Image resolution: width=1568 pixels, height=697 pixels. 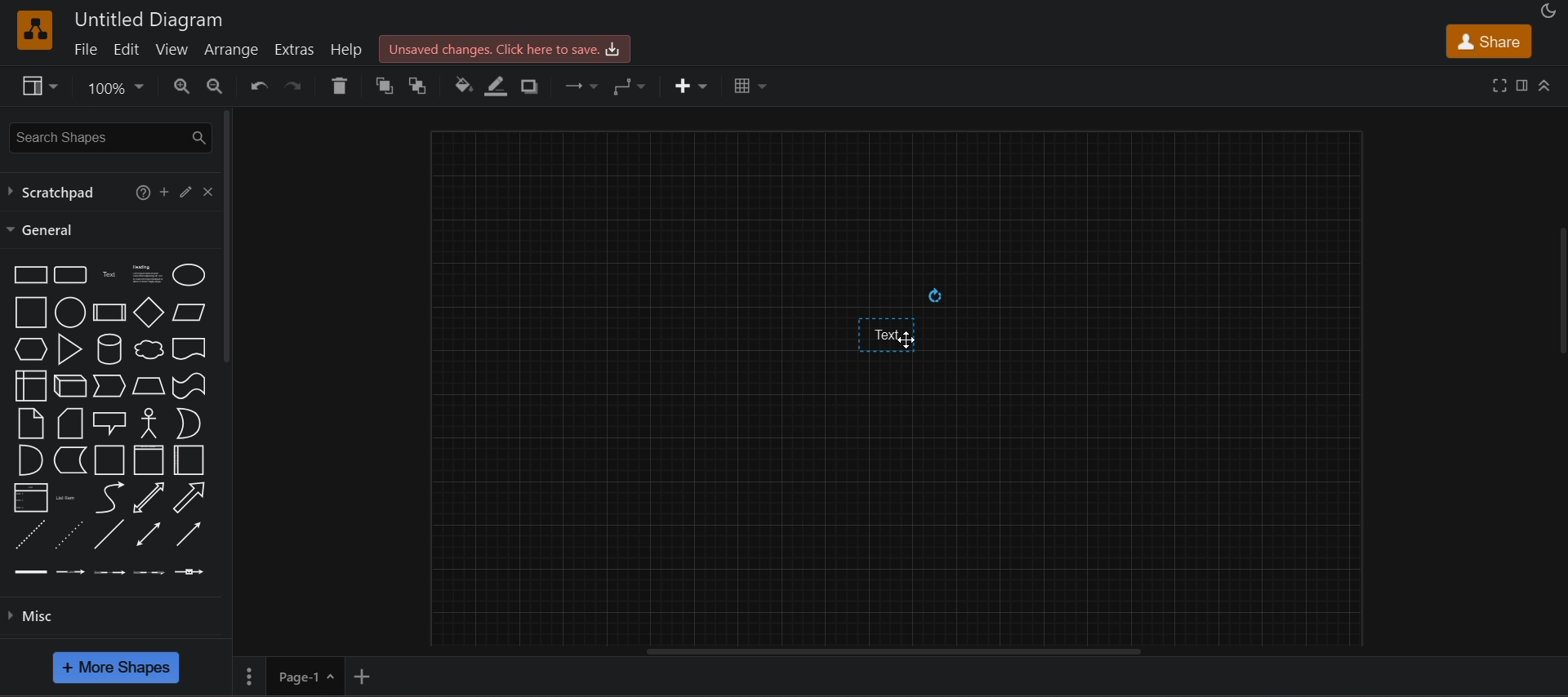 I want to click on Dotted line, so click(x=69, y=535).